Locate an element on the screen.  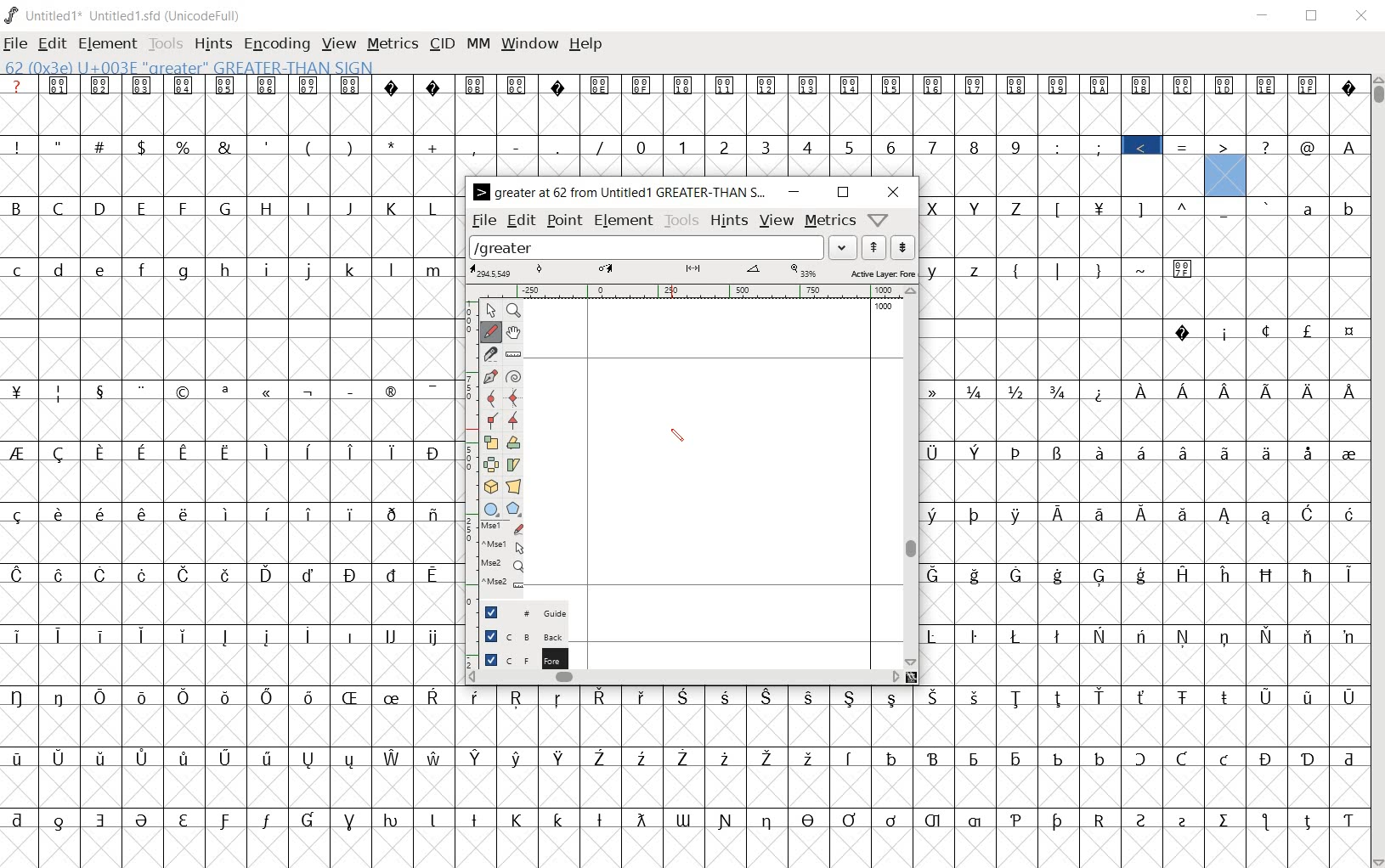
minimize is located at coordinates (1263, 16).